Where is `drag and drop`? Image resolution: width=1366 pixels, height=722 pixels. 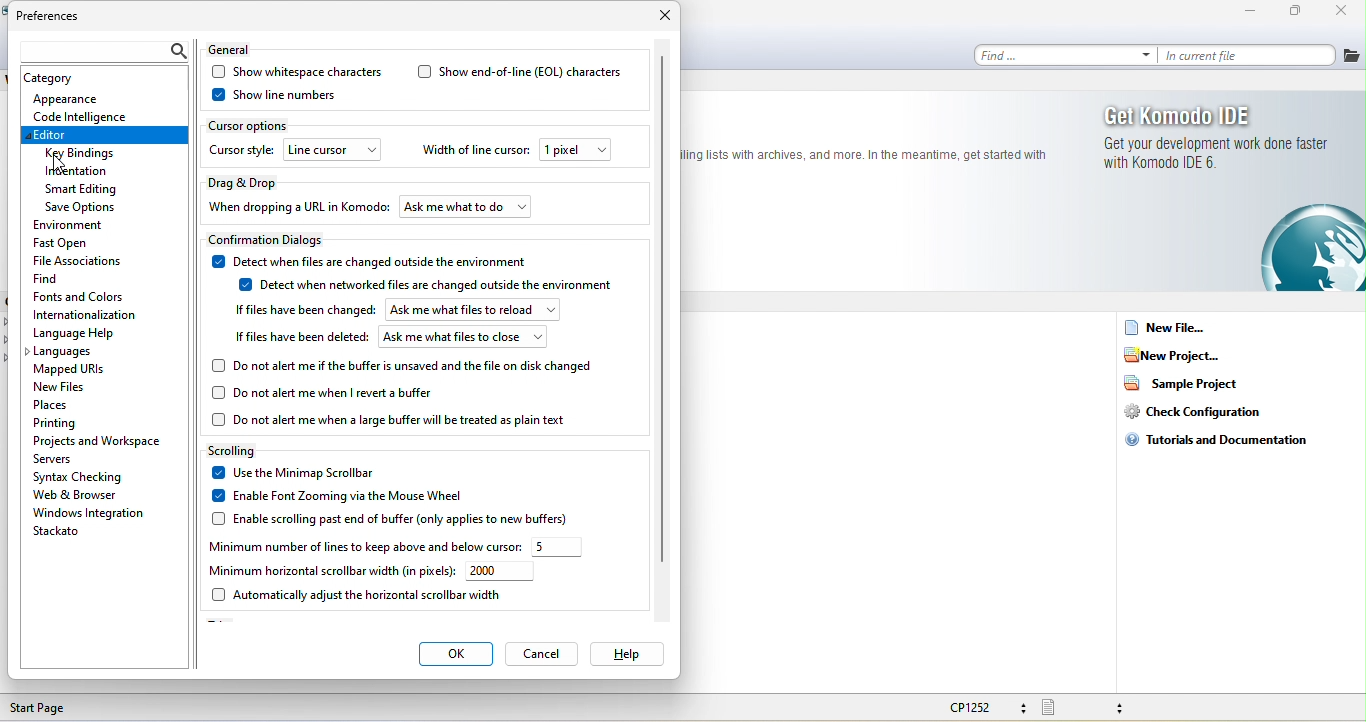 drag and drop is located at coordinates (248, 181).